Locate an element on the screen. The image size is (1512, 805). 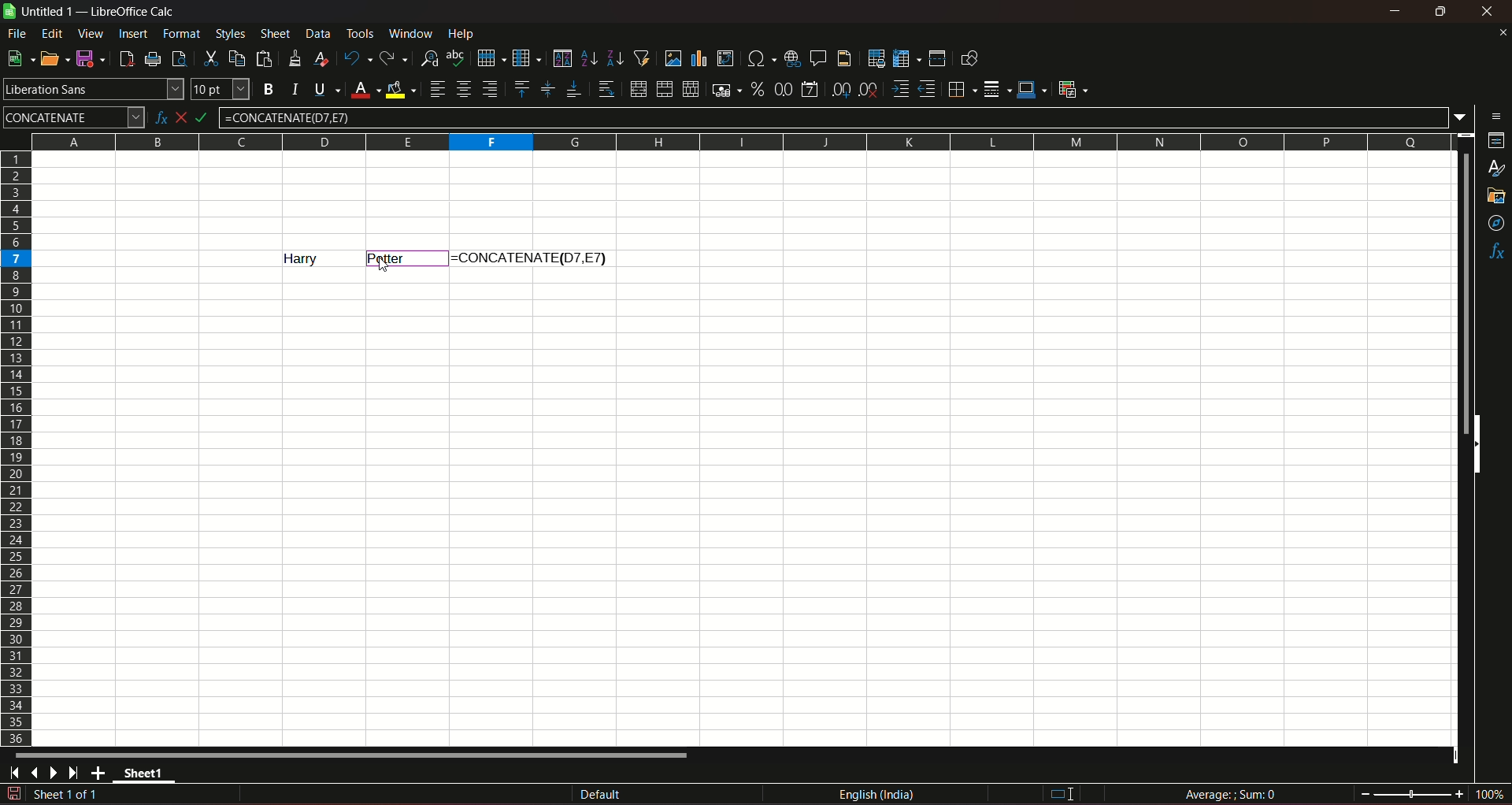
add new sheet is located at coordinates (100, 773).